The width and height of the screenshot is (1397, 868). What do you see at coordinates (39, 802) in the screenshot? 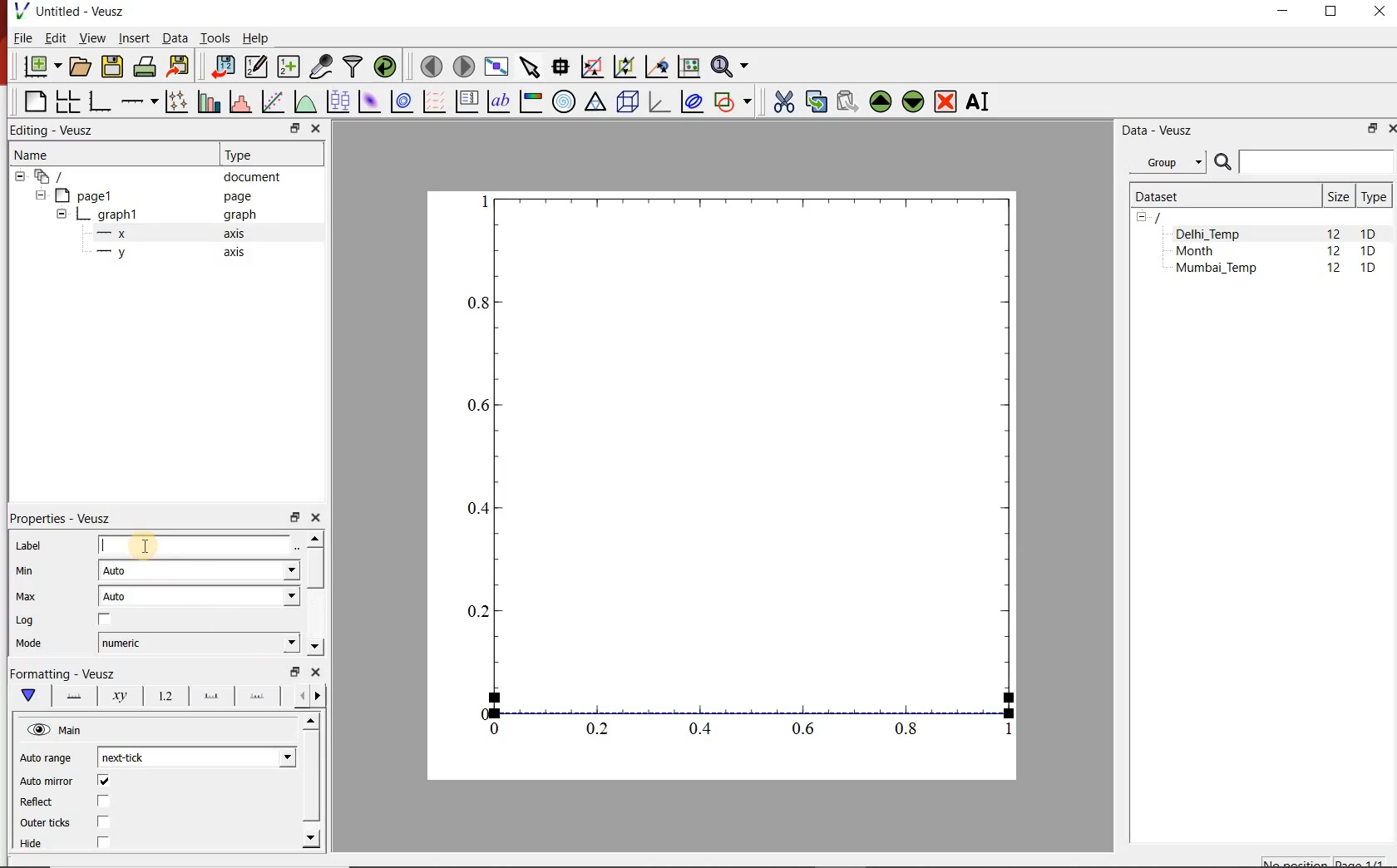
I see `Reflect` at bounding box center [39, 802].